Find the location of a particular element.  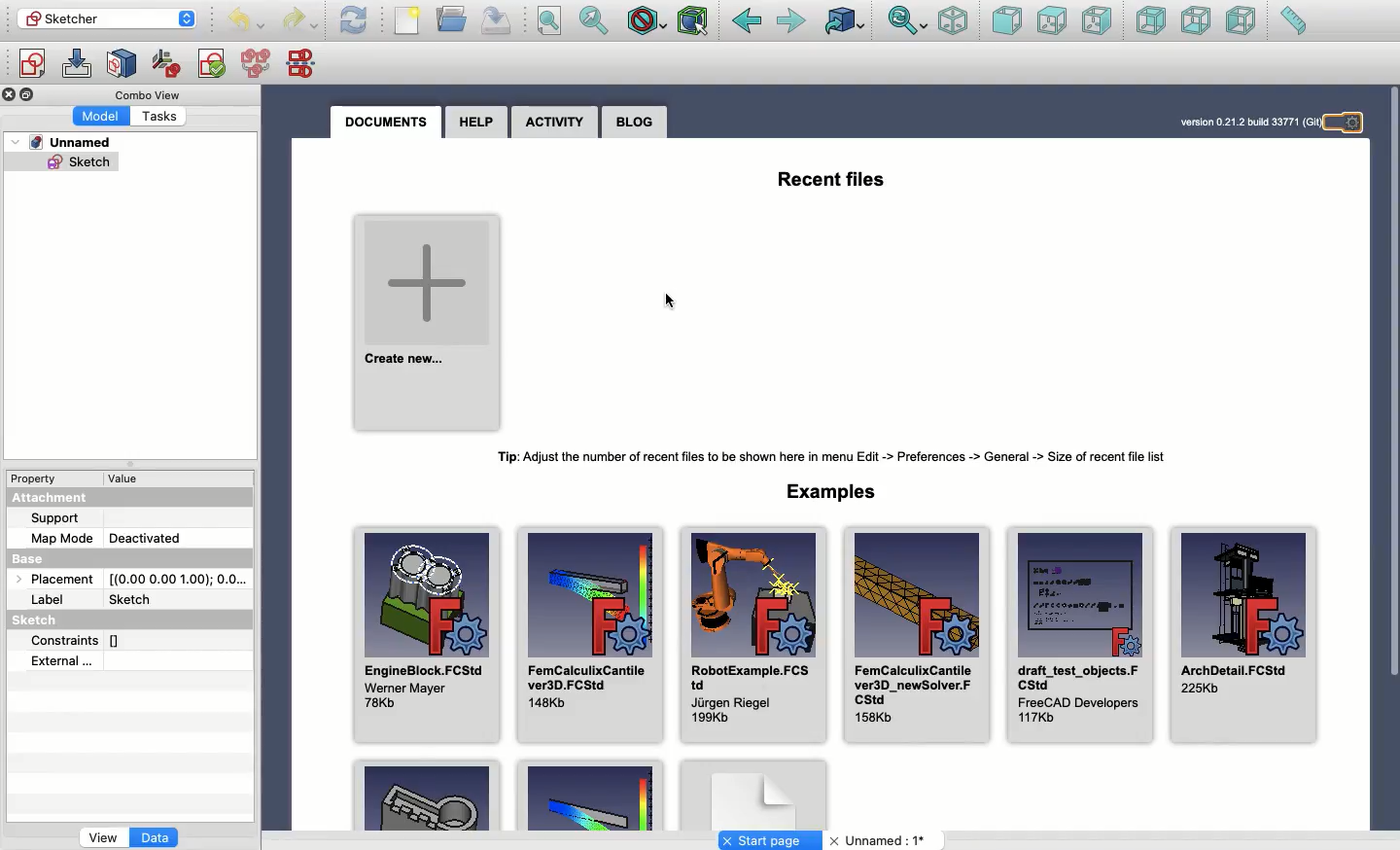

Create new is located at coordinates (430, 322).